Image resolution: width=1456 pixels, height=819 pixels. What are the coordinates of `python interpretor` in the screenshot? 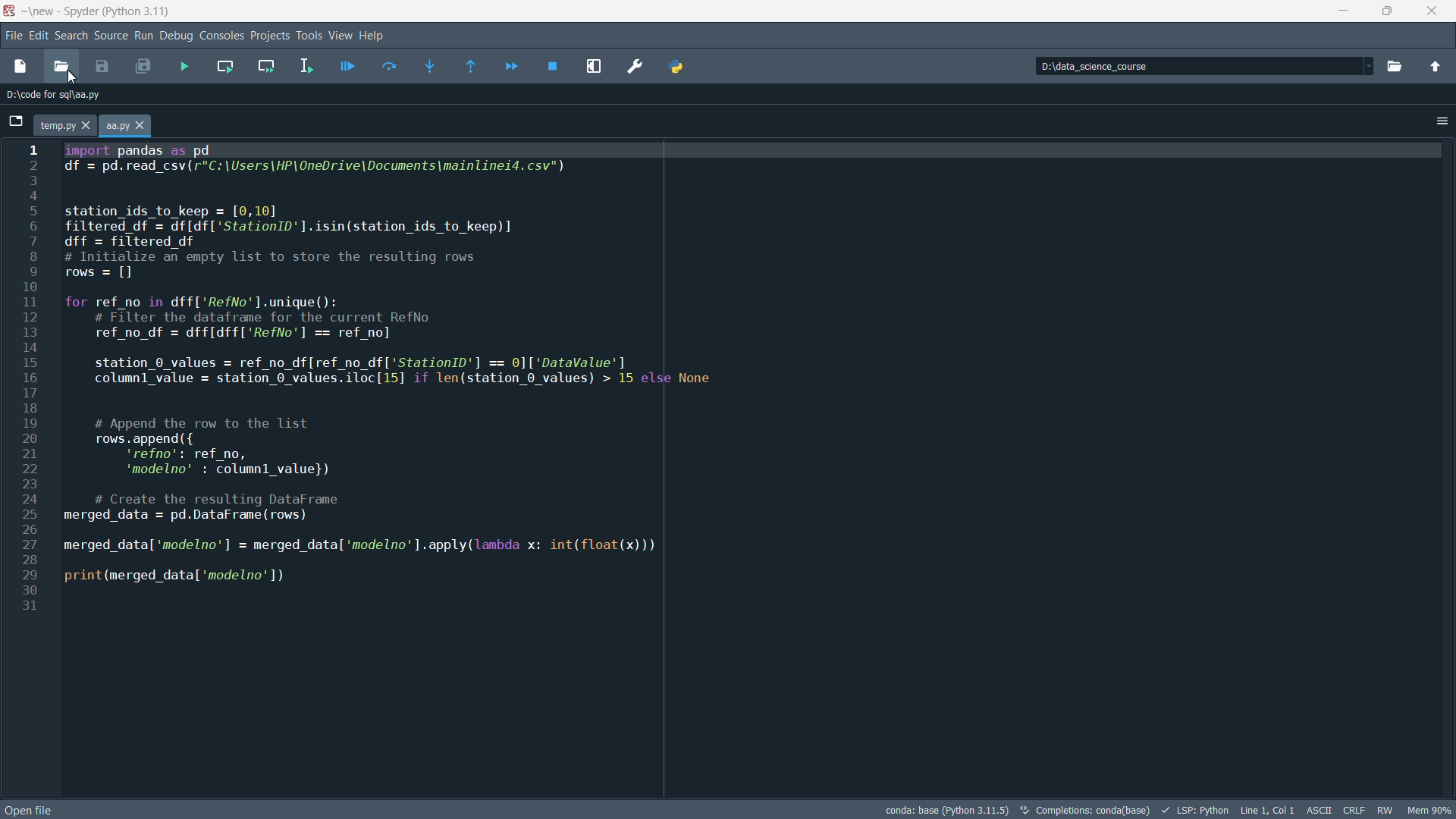 It's located at (946, 810).